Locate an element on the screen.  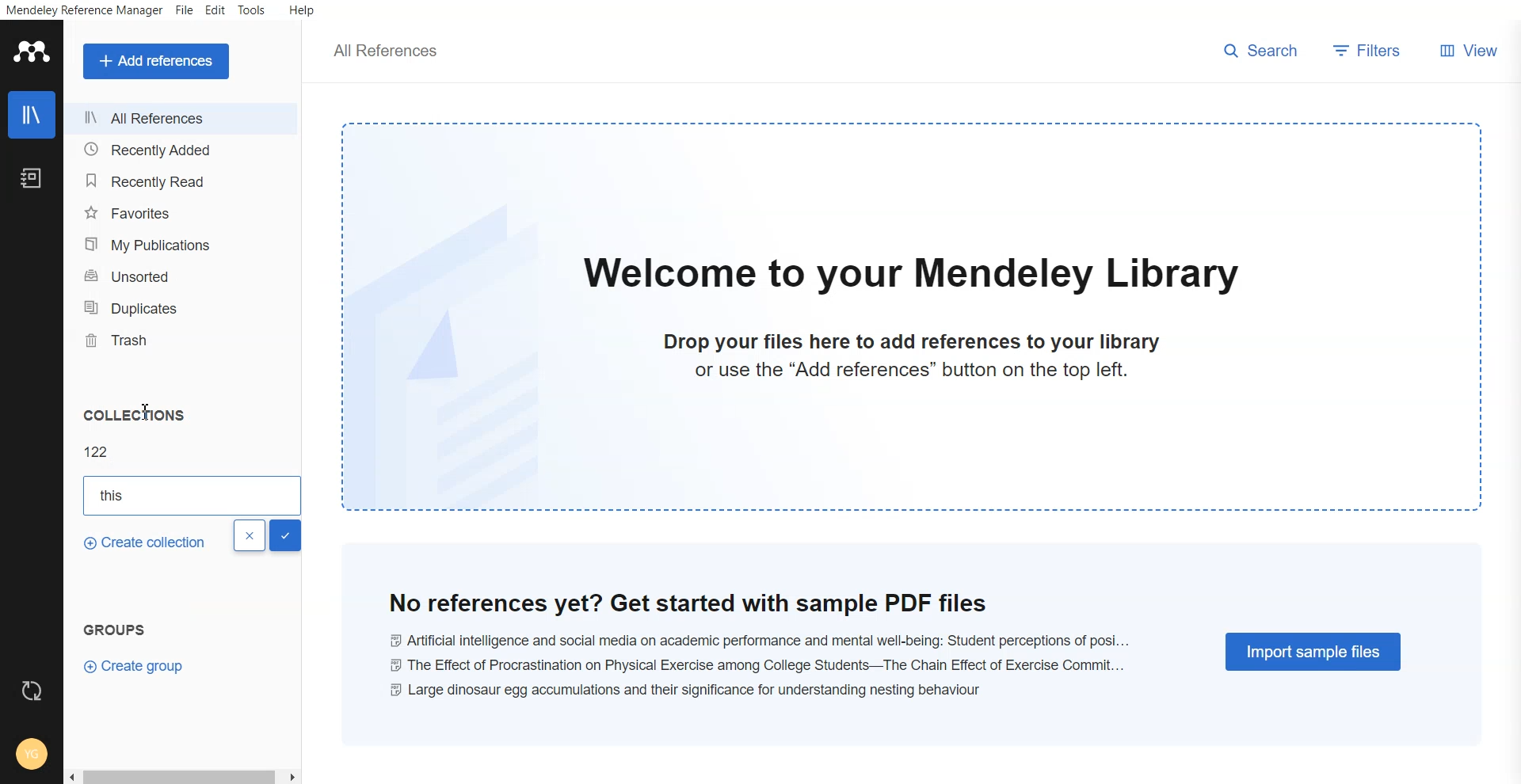
This is located at coordinates (115, 496).